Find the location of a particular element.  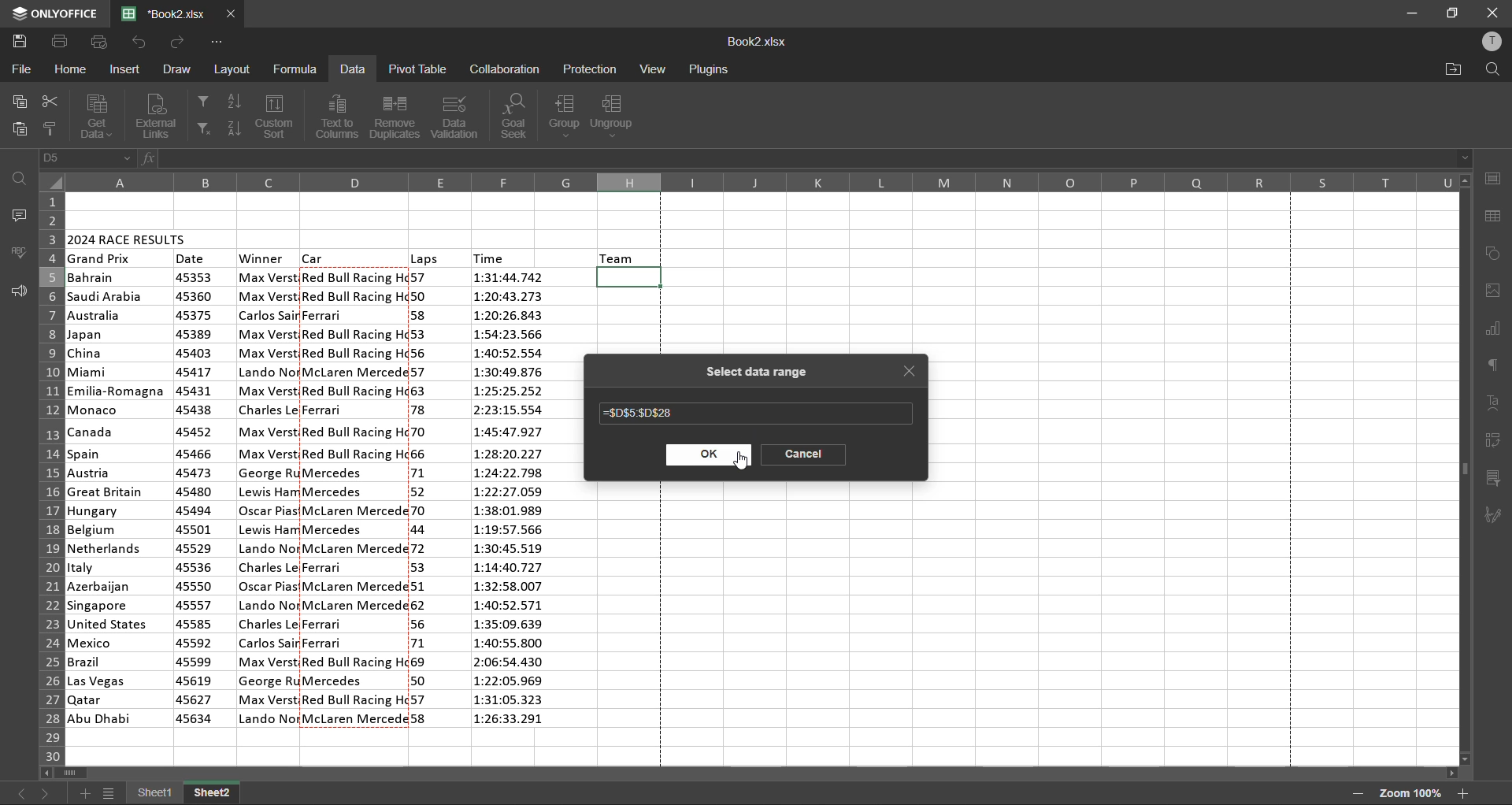

customize quick access toolbar is located at coordinates (215, 43).